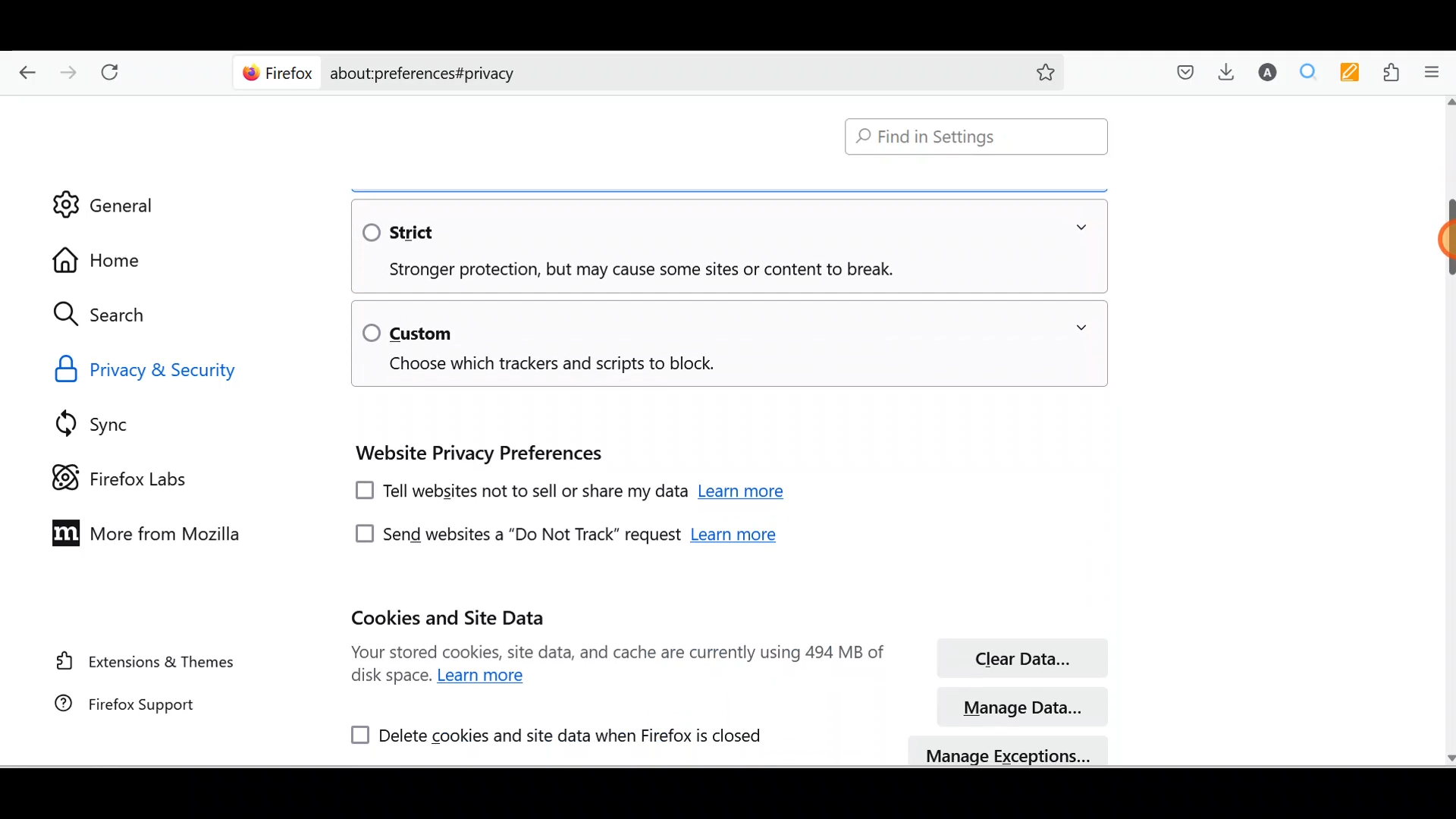 The width and height of the screenshot is (1456, 819). Describe the element at coordinates (408, 331) in the screenshot. I see `Custom ` at that location.